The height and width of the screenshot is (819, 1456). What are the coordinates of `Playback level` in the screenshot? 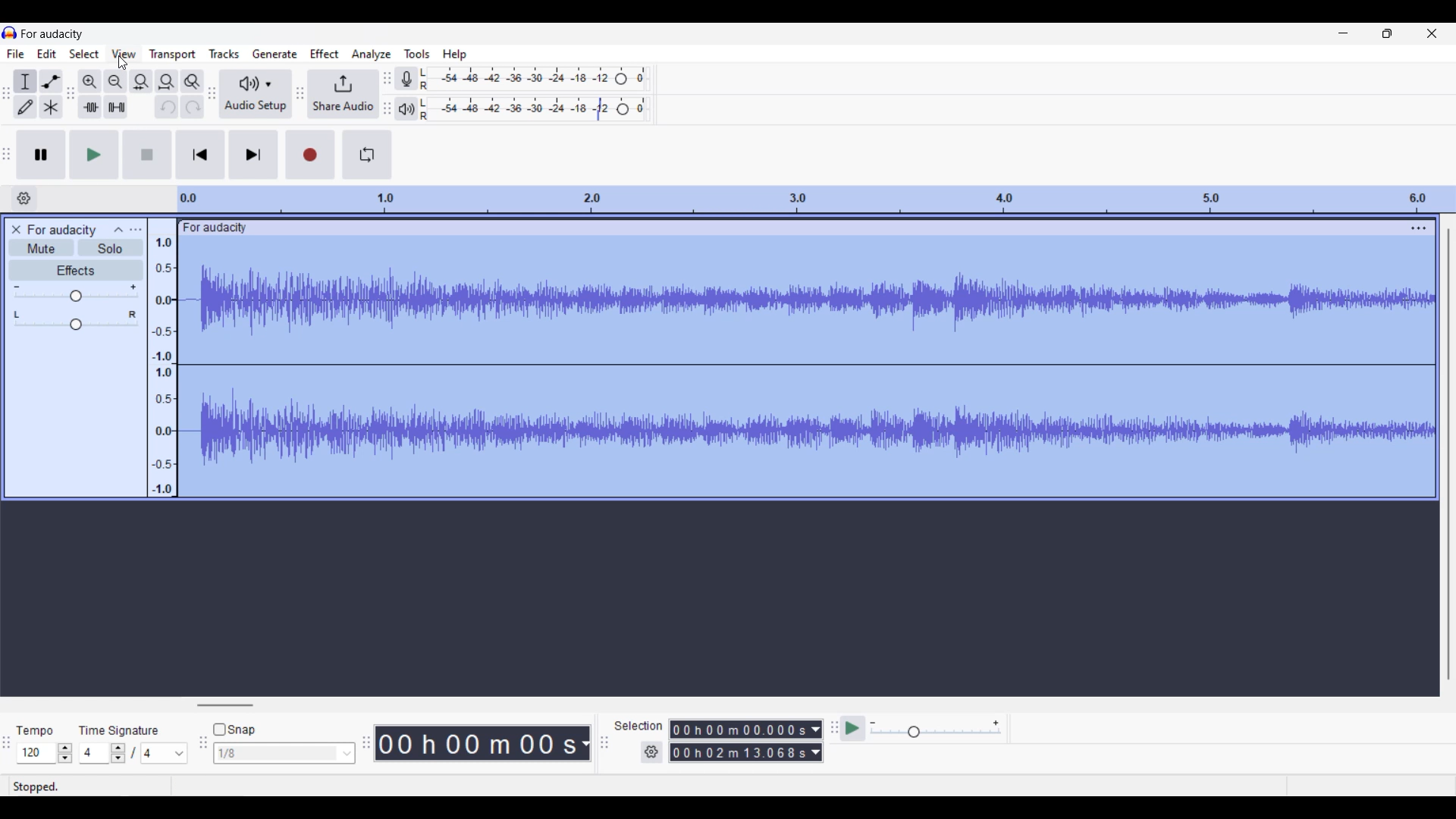 It's located at (535, 109).